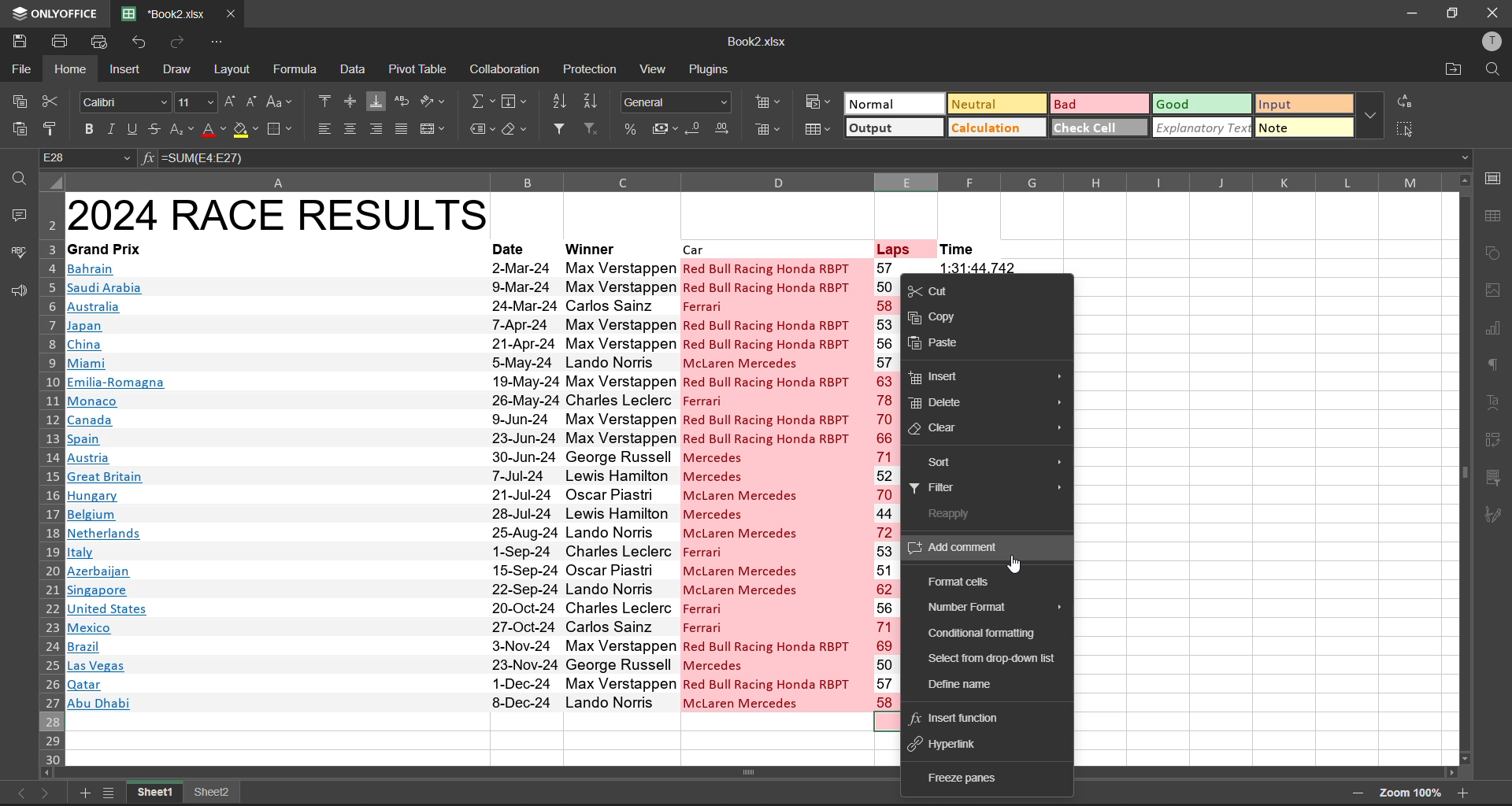 The width and height of the screenshot is (1512, 806). What do you see at coordinates (434, 103) in the screenshot?
I see `orientation` at bounding box center [434, 103].